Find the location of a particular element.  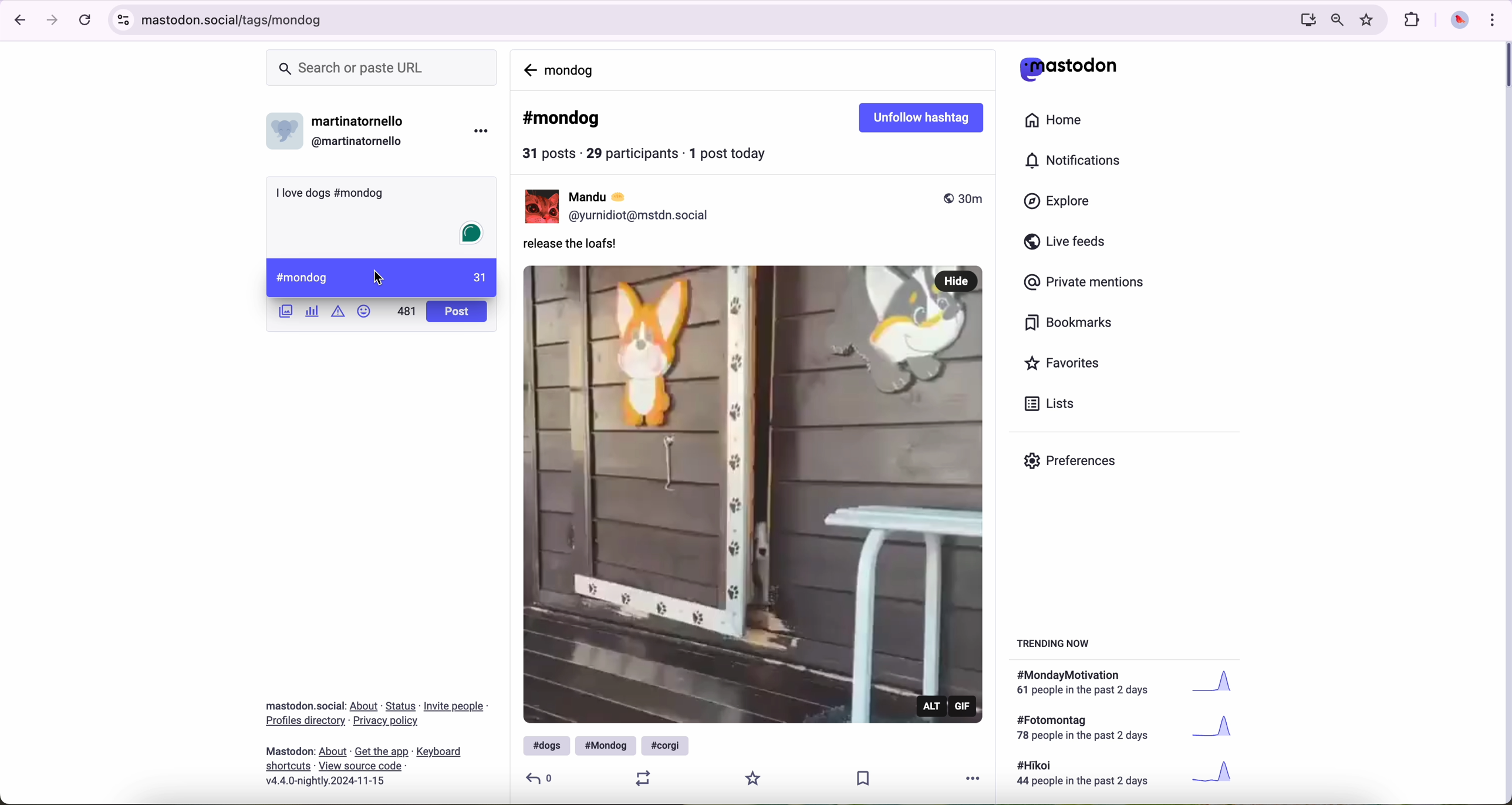

#mondog is located at coordinates (562, 119).